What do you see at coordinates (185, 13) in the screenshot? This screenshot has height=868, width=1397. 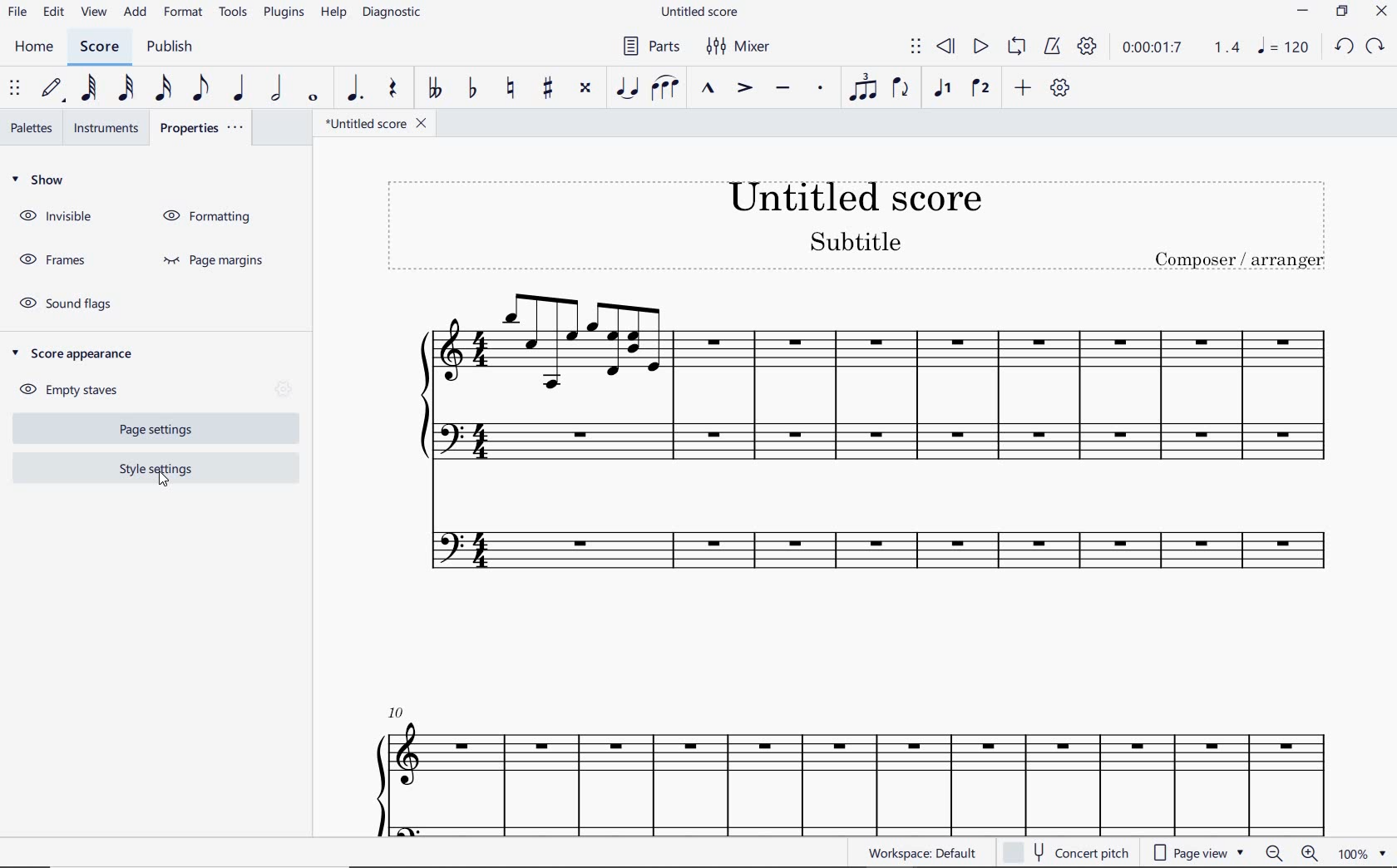 I see `FORMAT` at bounding box center [185, 13].